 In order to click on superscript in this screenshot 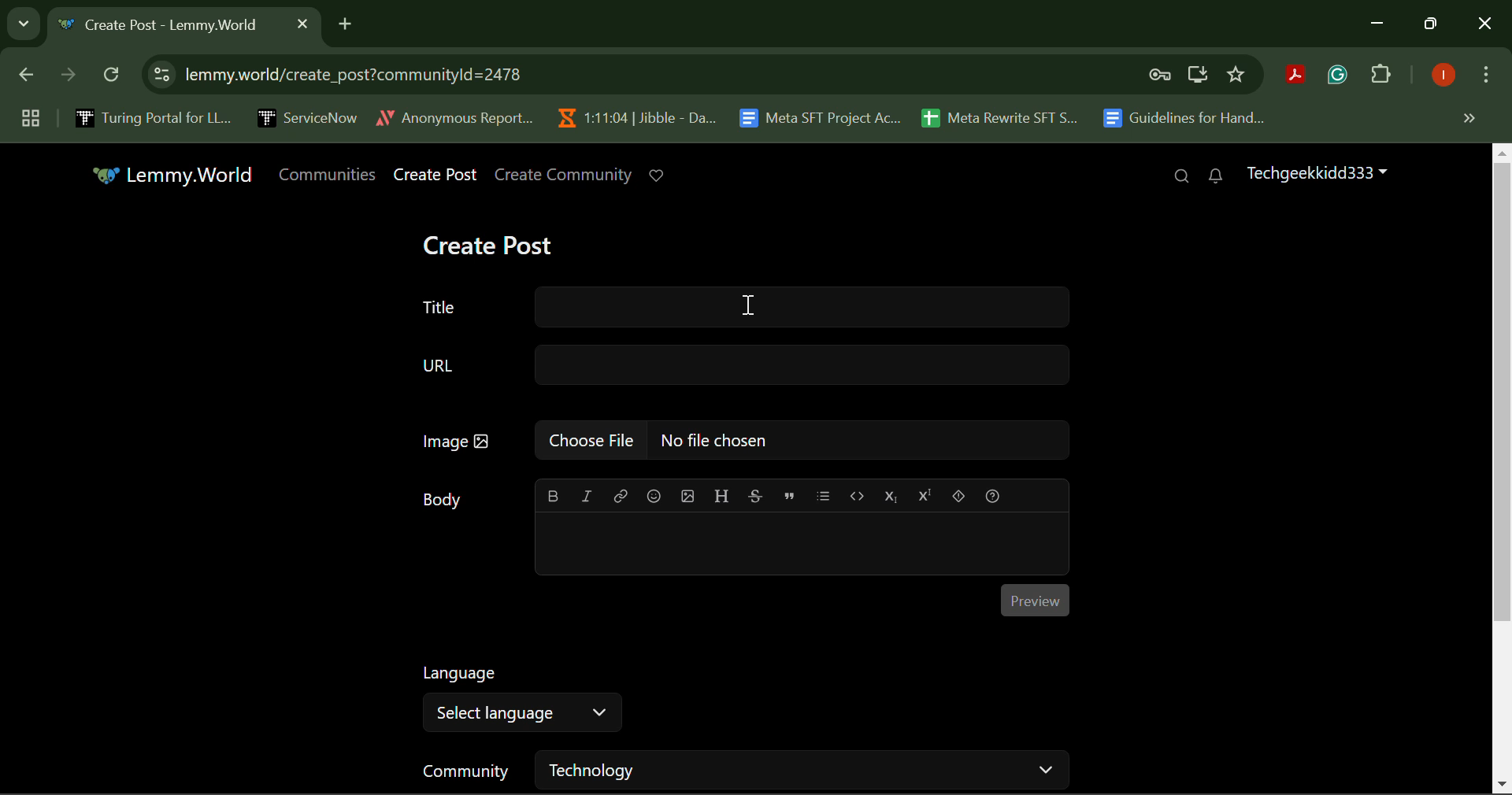, I will do `click(922, 494)`.